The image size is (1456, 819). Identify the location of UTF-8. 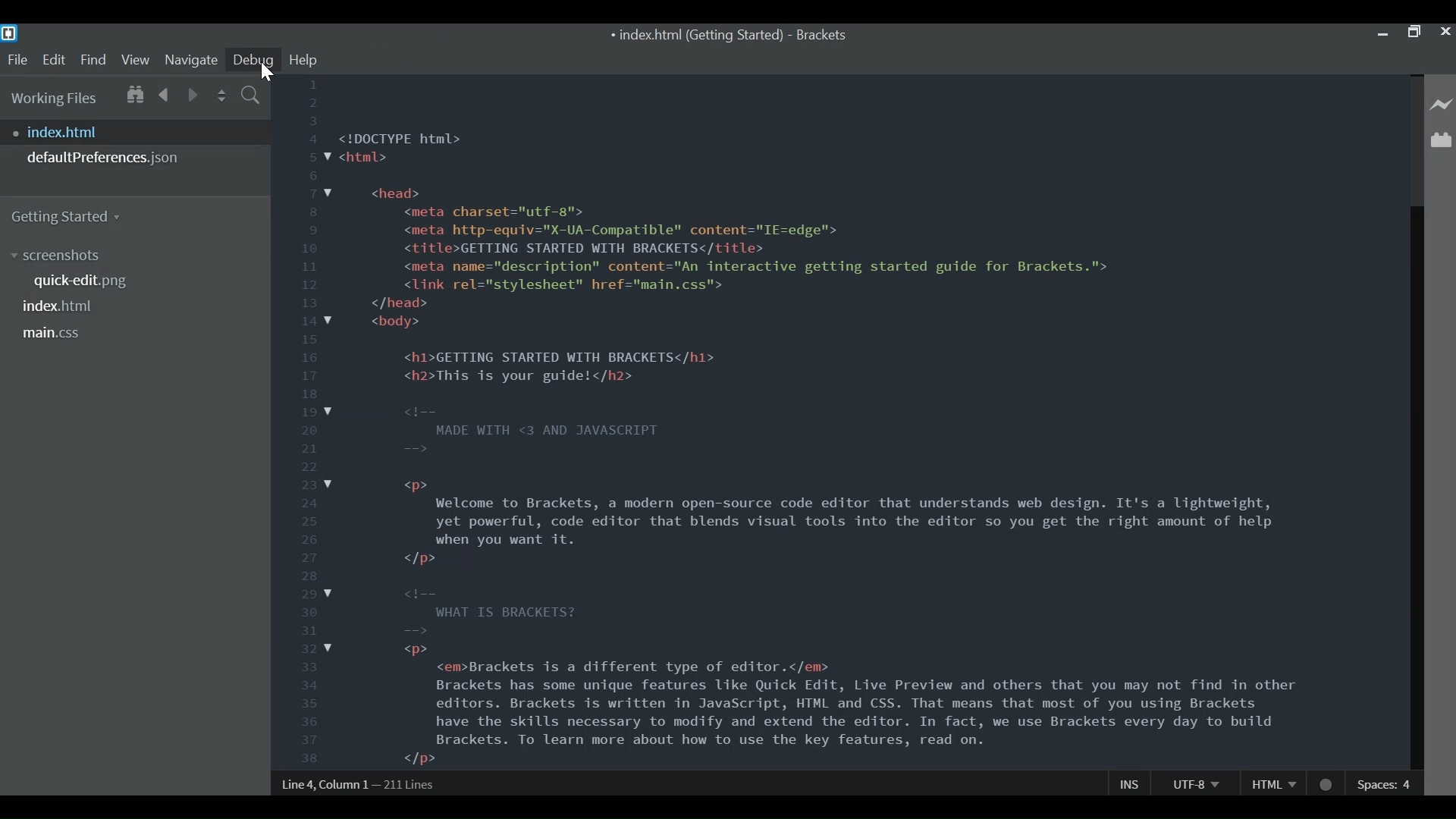
(1195, 783).